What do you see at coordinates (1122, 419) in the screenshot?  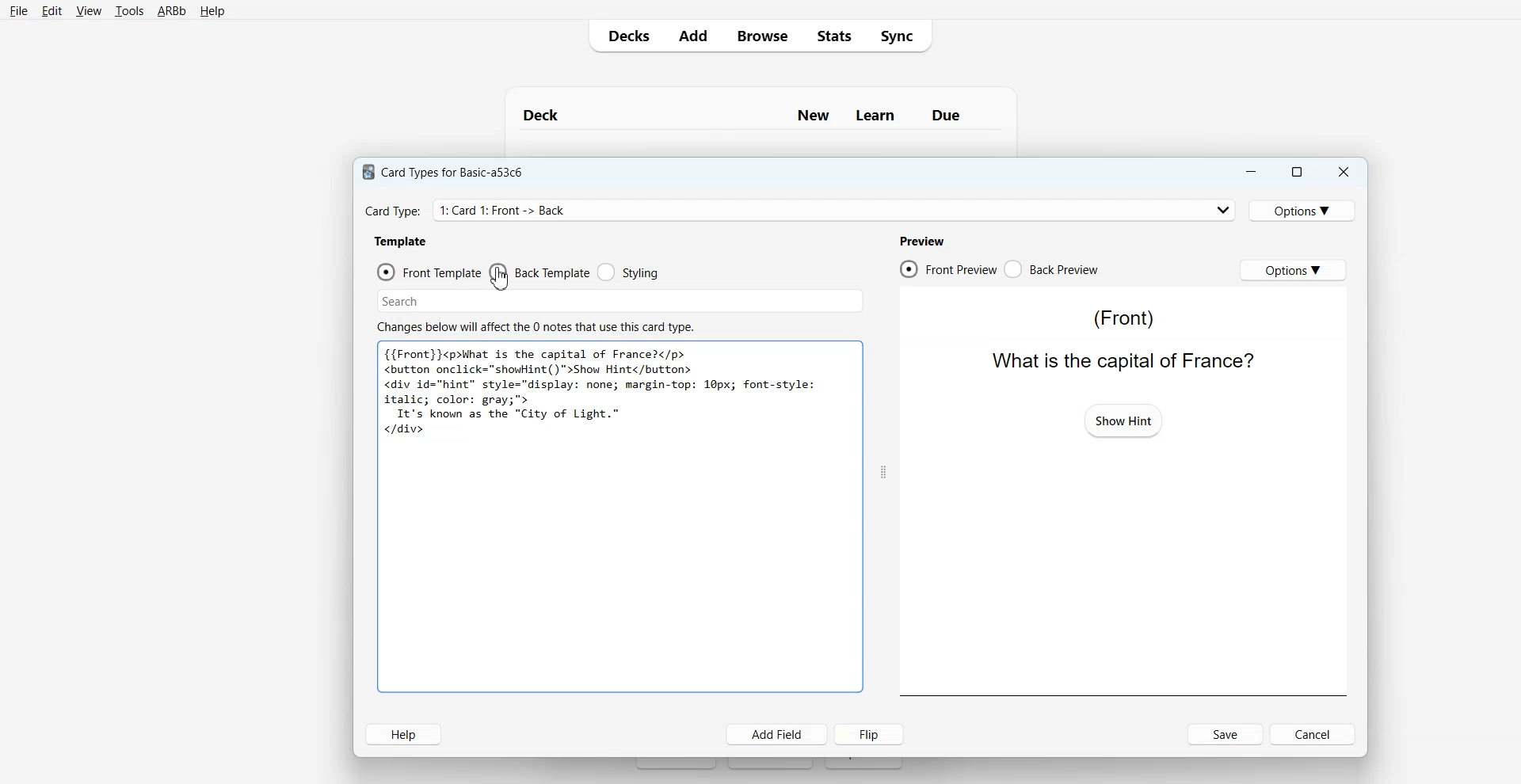 I see `Show Hint` at bounding box center [1122, 419].